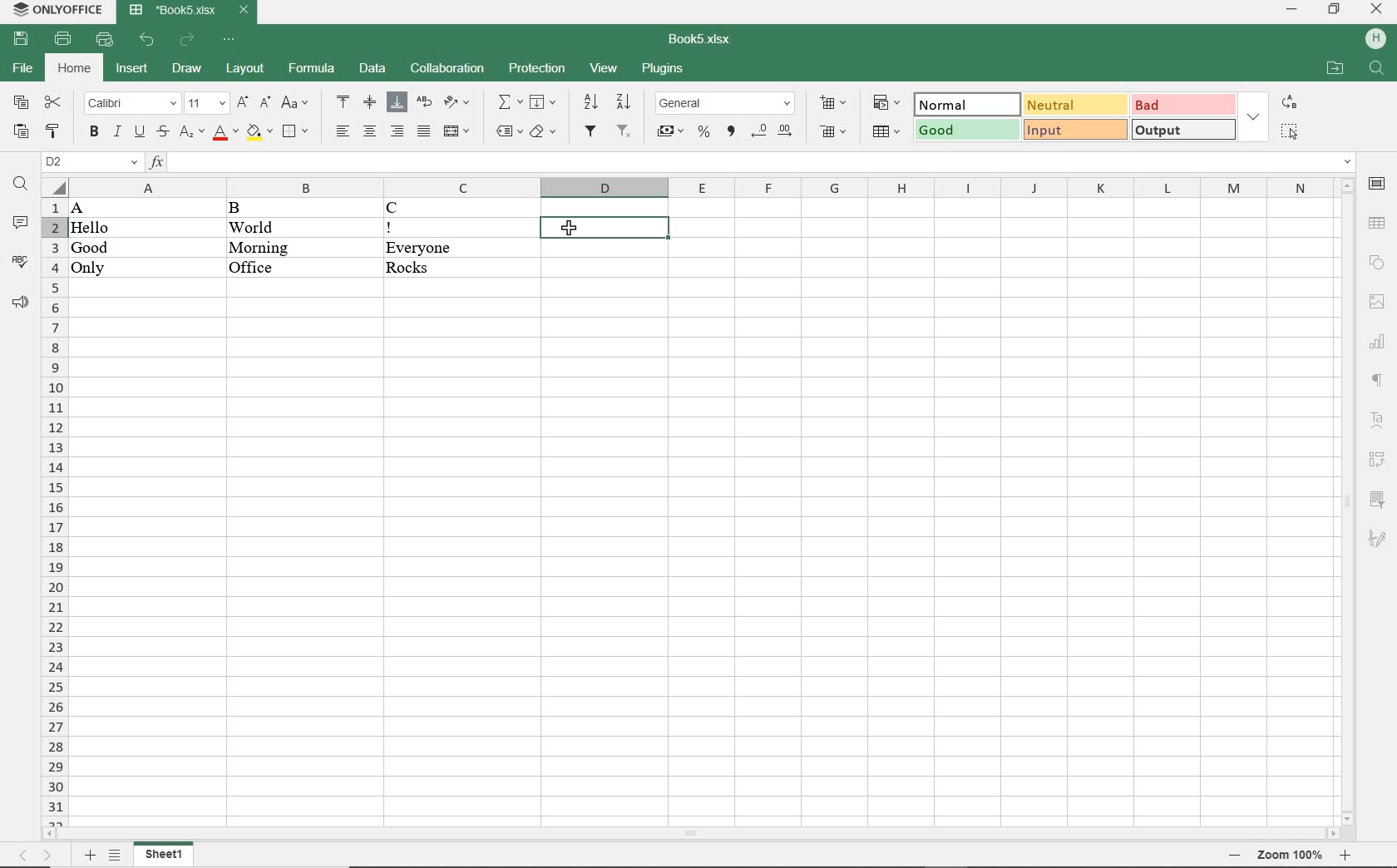  I want to click on DECREMENT FONT SIZE, so click(265, 106).